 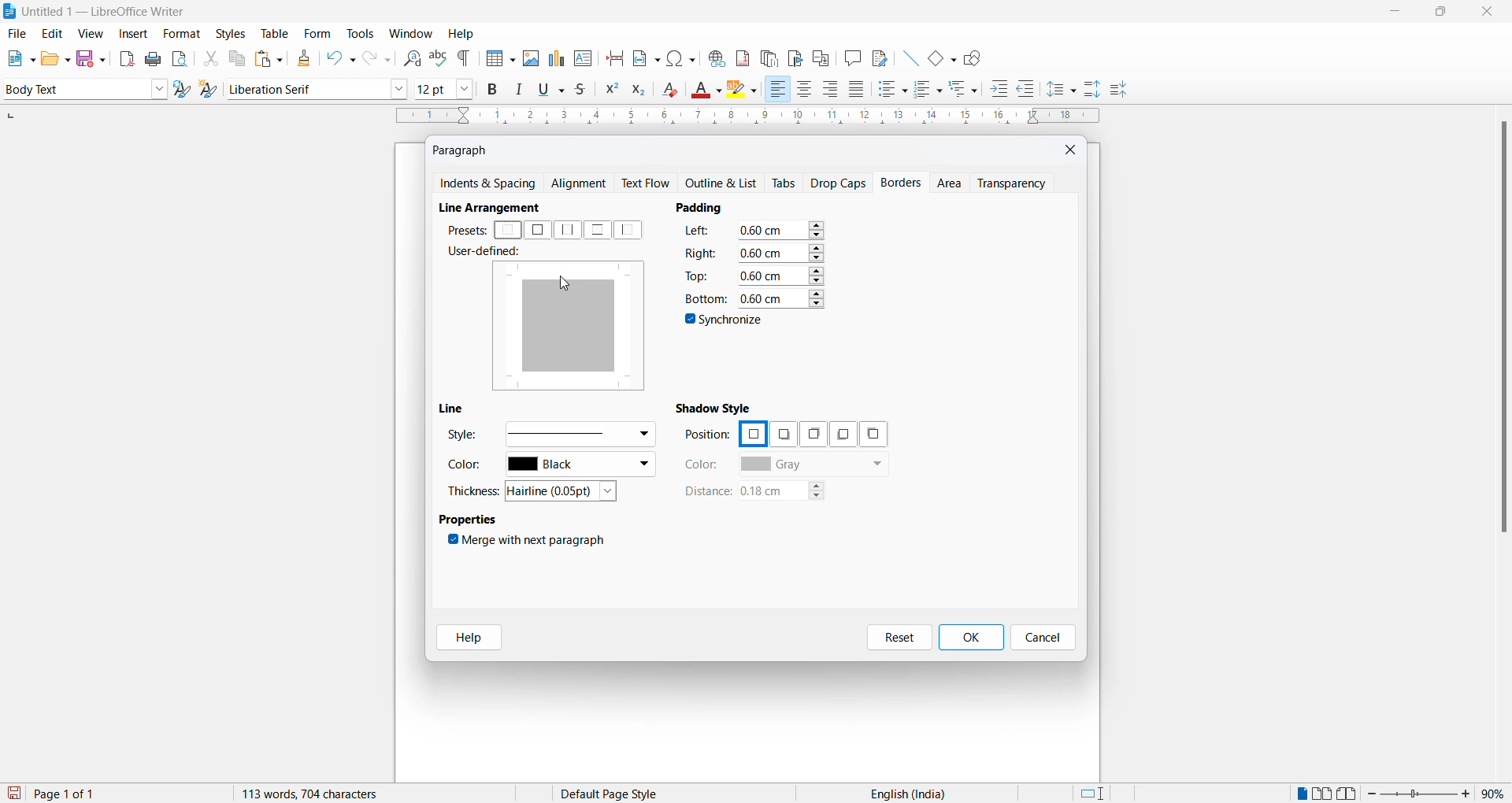 I want to click on color, so click(x=702, y=464).